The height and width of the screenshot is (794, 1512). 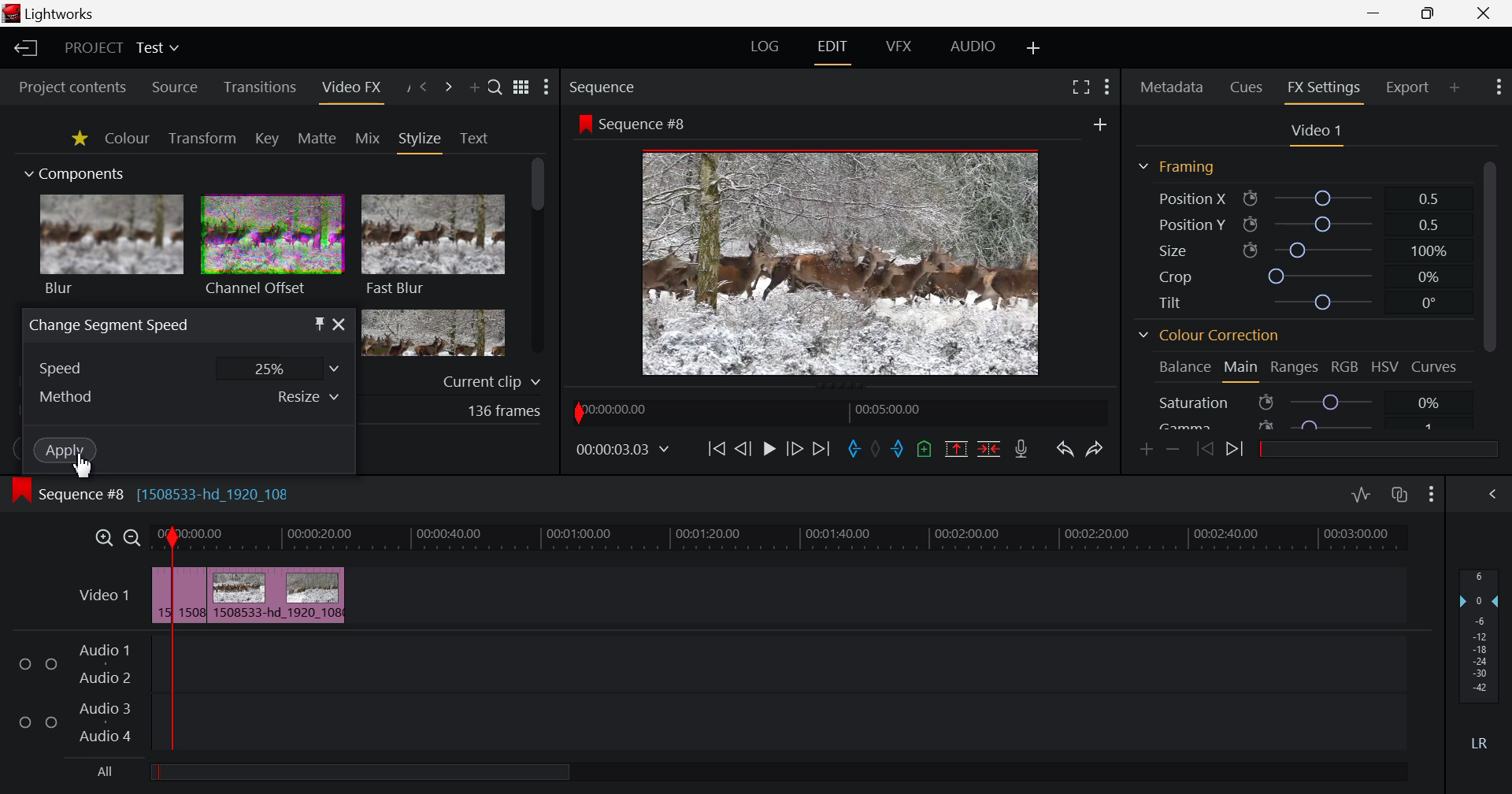 I want to click on Remove all marks, so click(x=880, y=447).